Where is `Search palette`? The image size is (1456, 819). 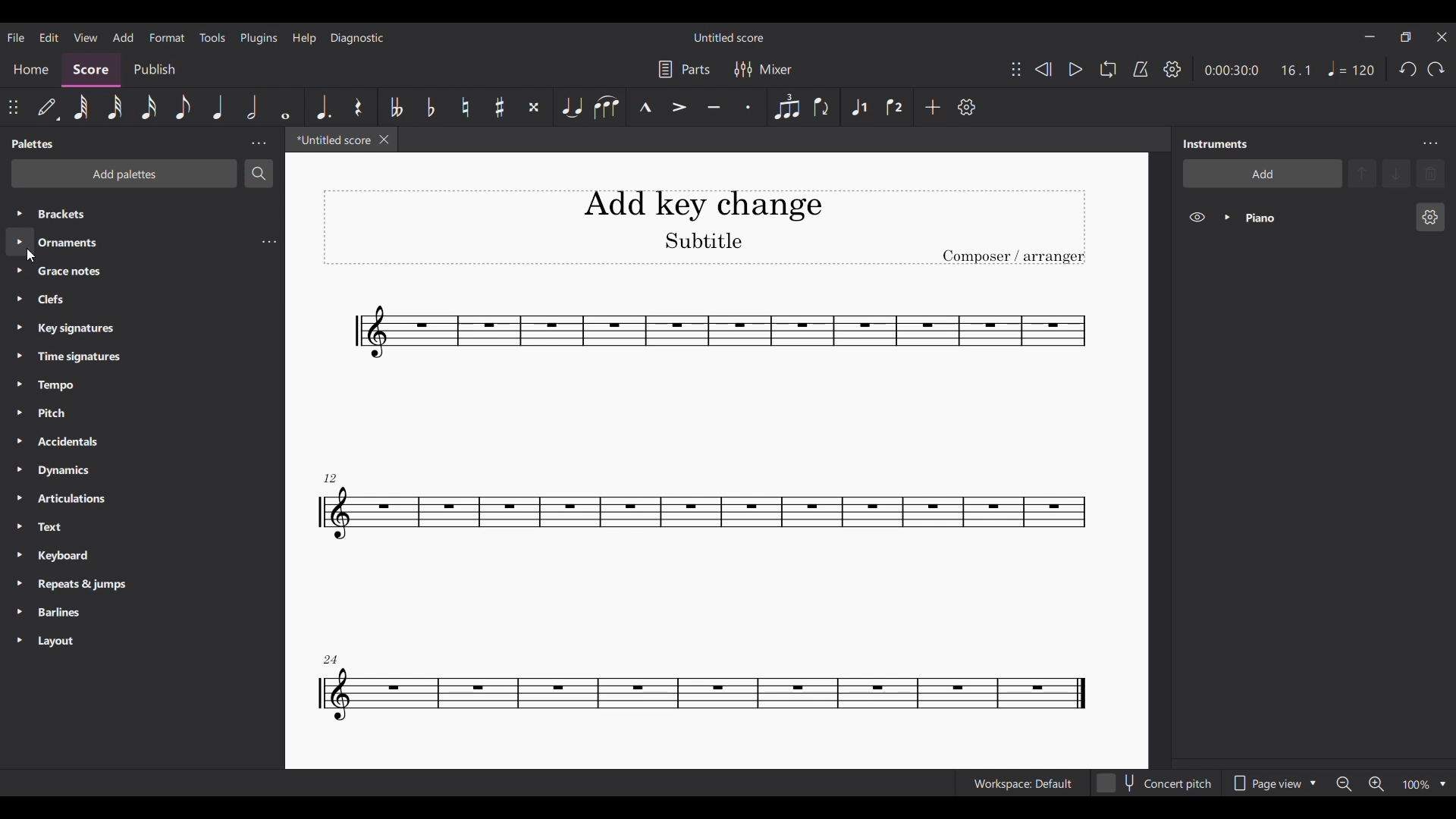
Search palette is located at coordinates (258, 174).